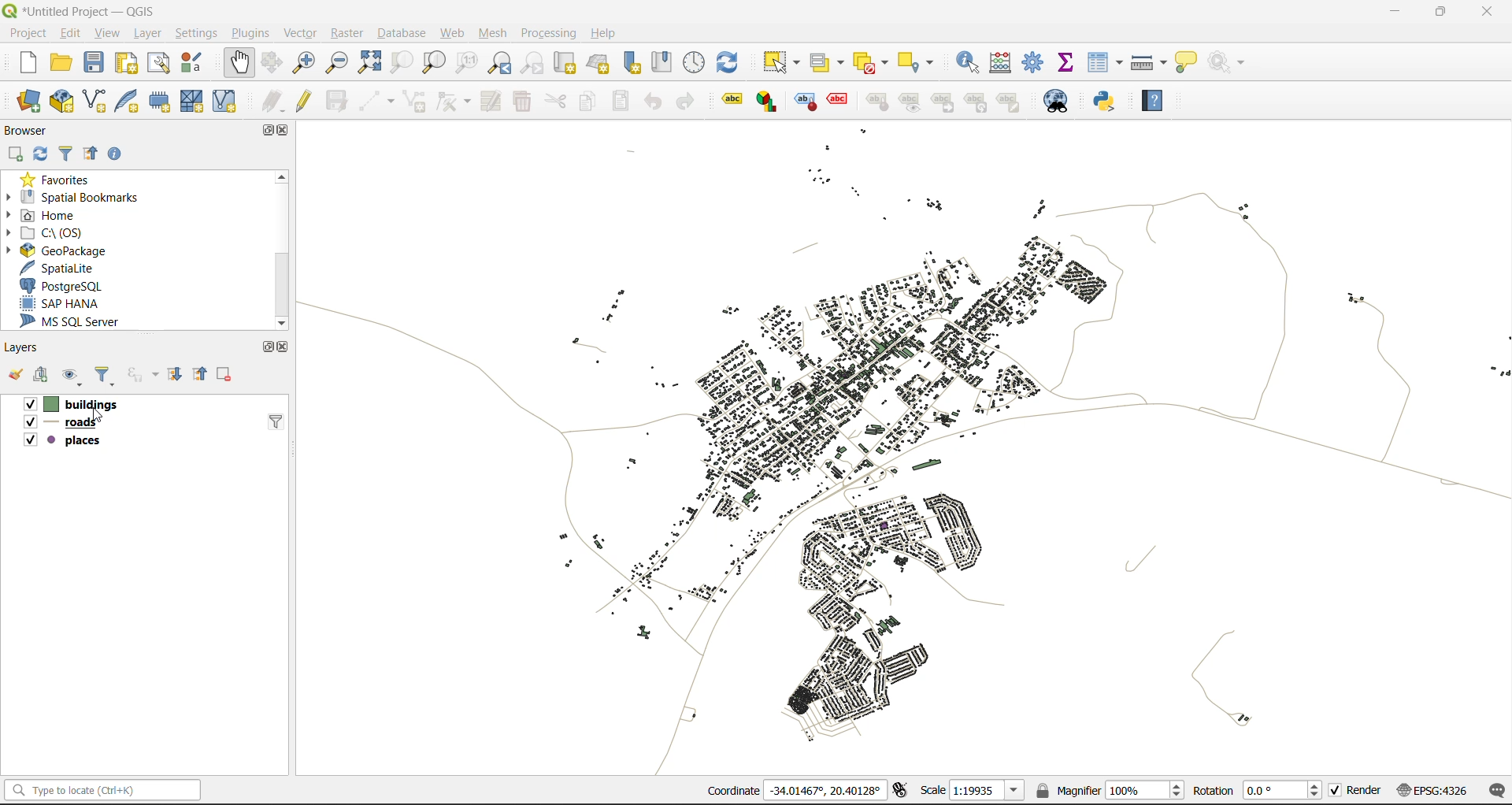  Describe the element at coordinates (1107, 101) in the screenshot. I see `python` at that location.